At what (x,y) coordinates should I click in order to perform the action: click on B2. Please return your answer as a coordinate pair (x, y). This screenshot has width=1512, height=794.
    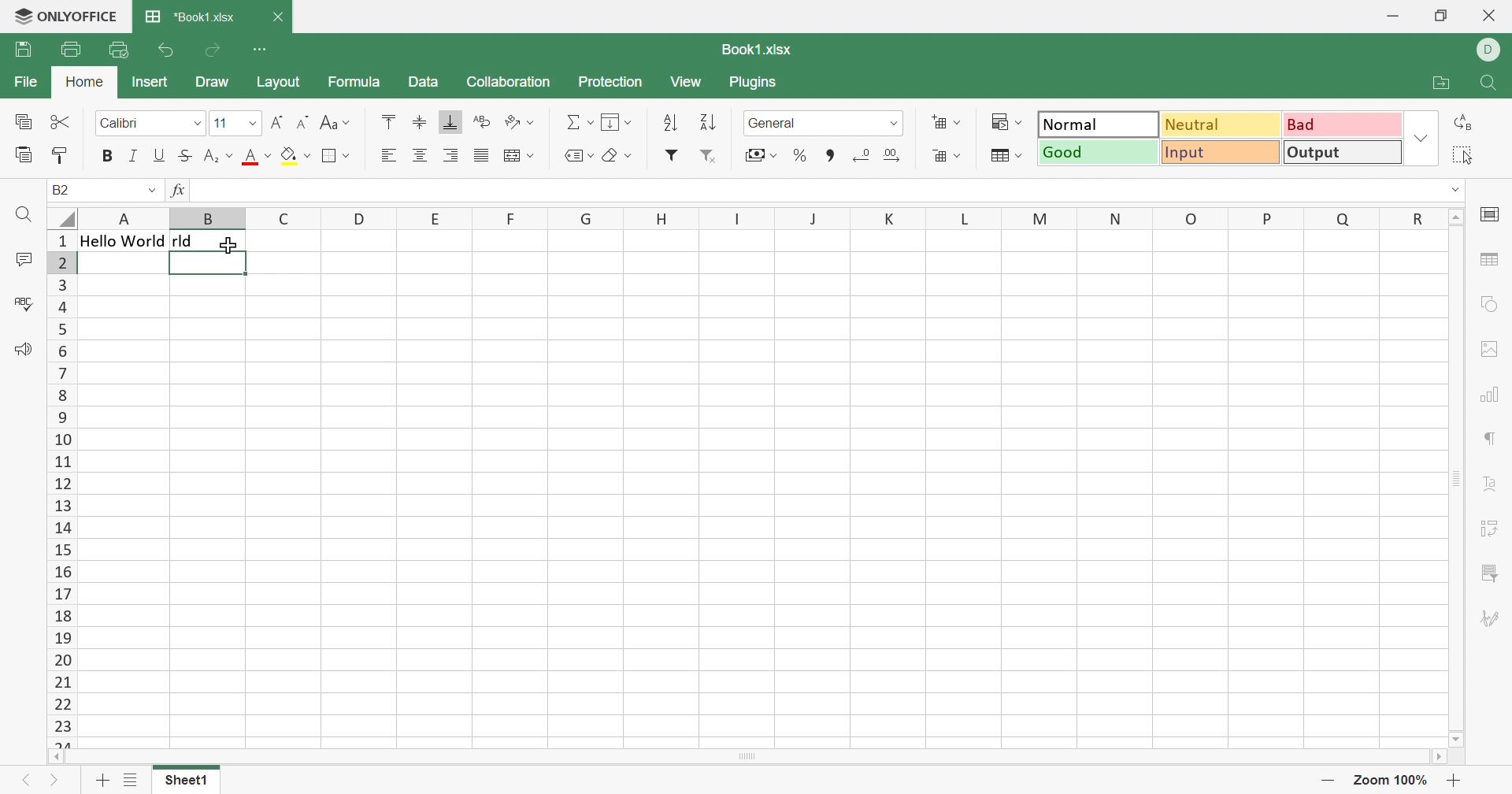
    Looking at the image, I should click on (69, 190).